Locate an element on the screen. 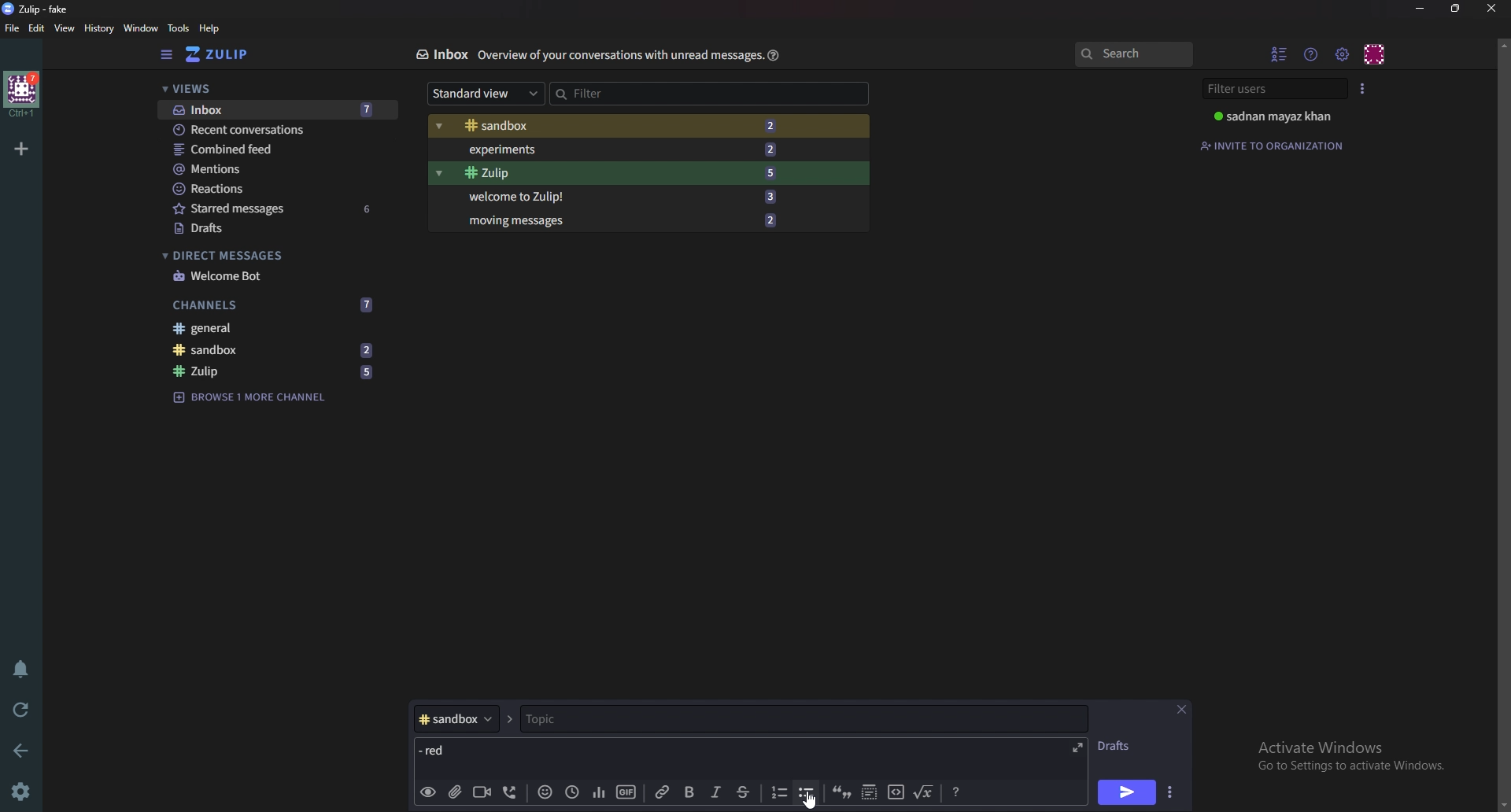  Help is located at coordinates (774, 54).